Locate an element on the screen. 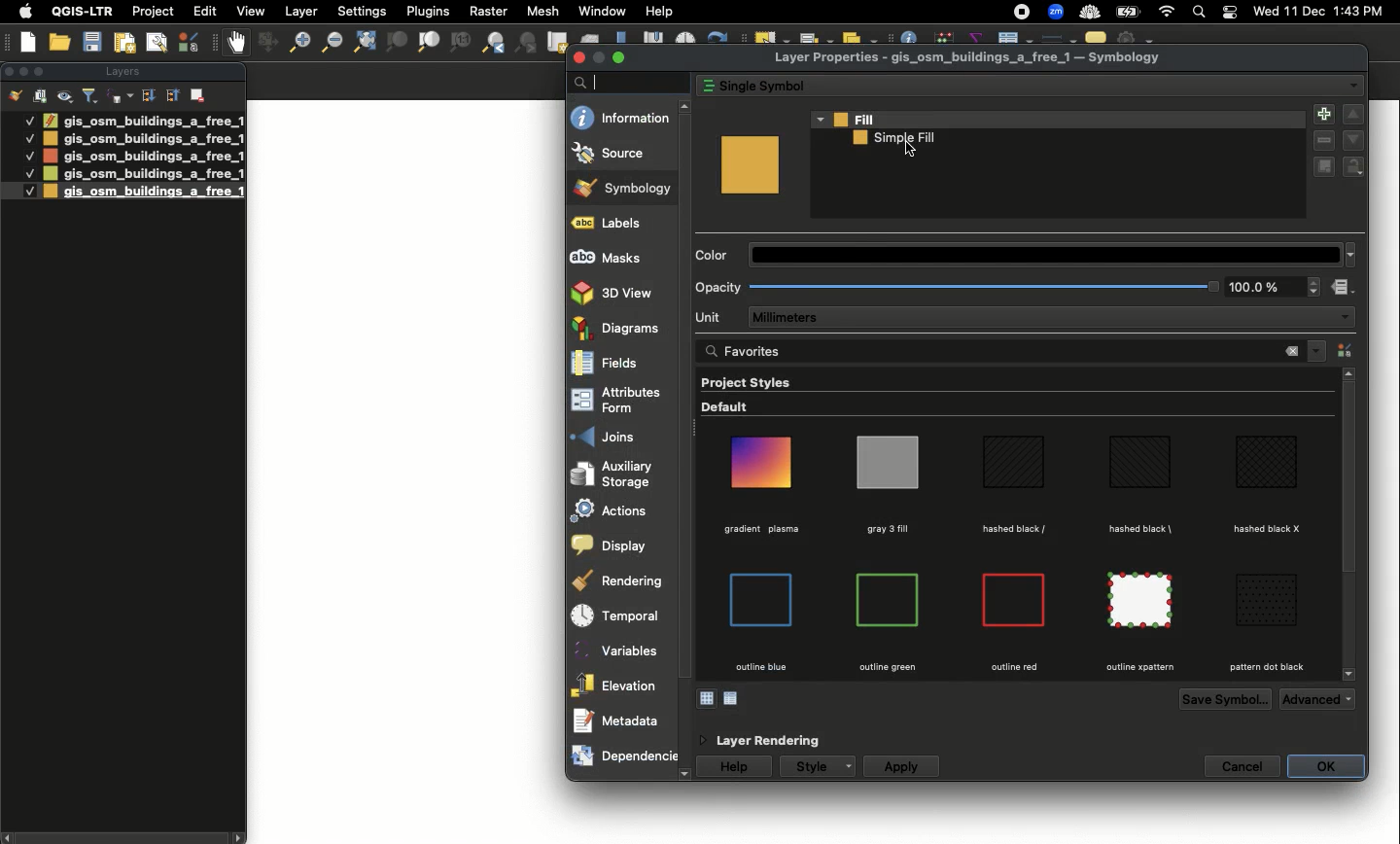 This screenshot has height=844, width=1400. Zoom full is located at coordinates (363, 43).